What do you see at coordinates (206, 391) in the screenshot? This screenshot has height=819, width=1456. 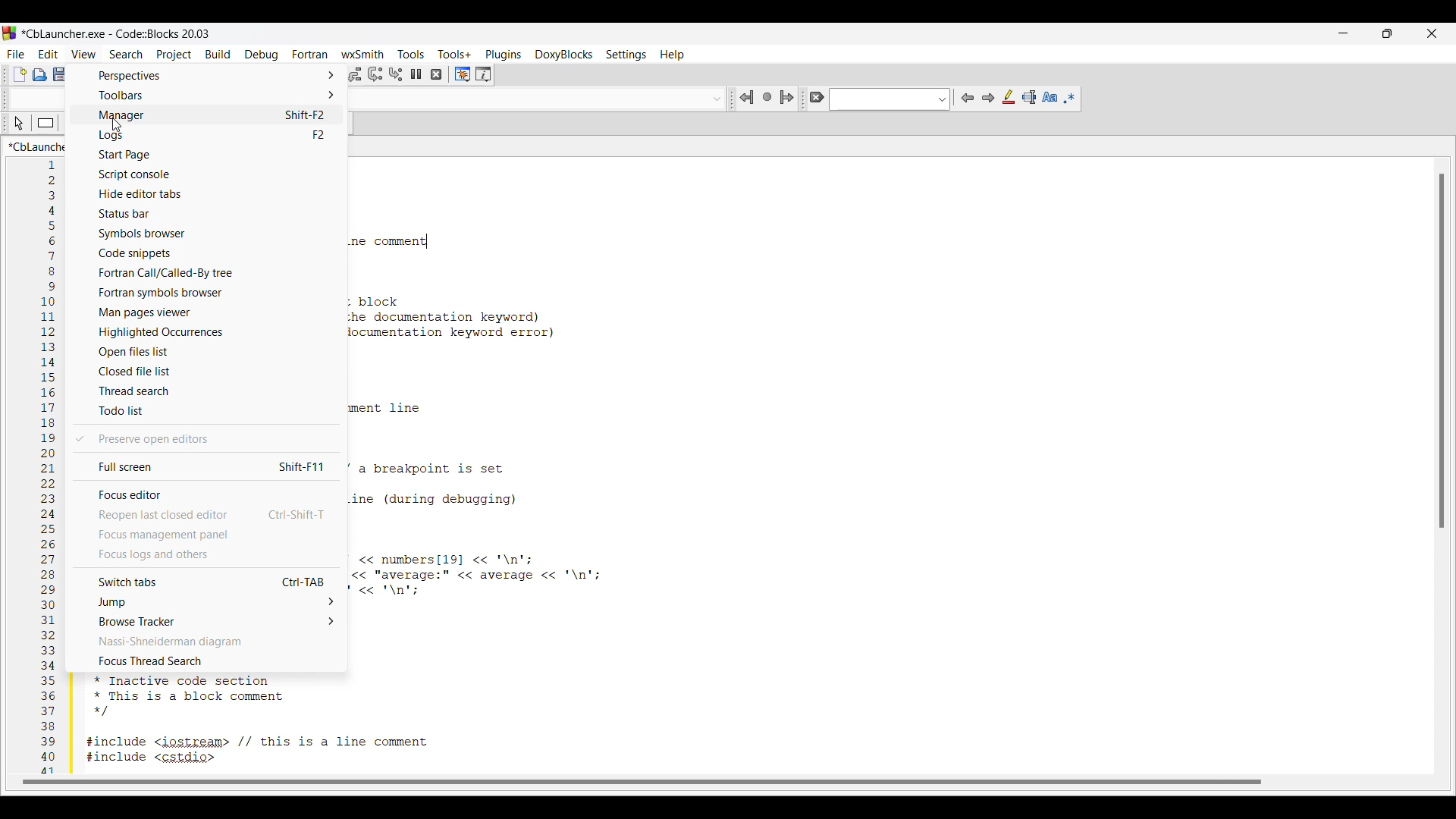 I see `Thread search` at bounding box center [206, 391].